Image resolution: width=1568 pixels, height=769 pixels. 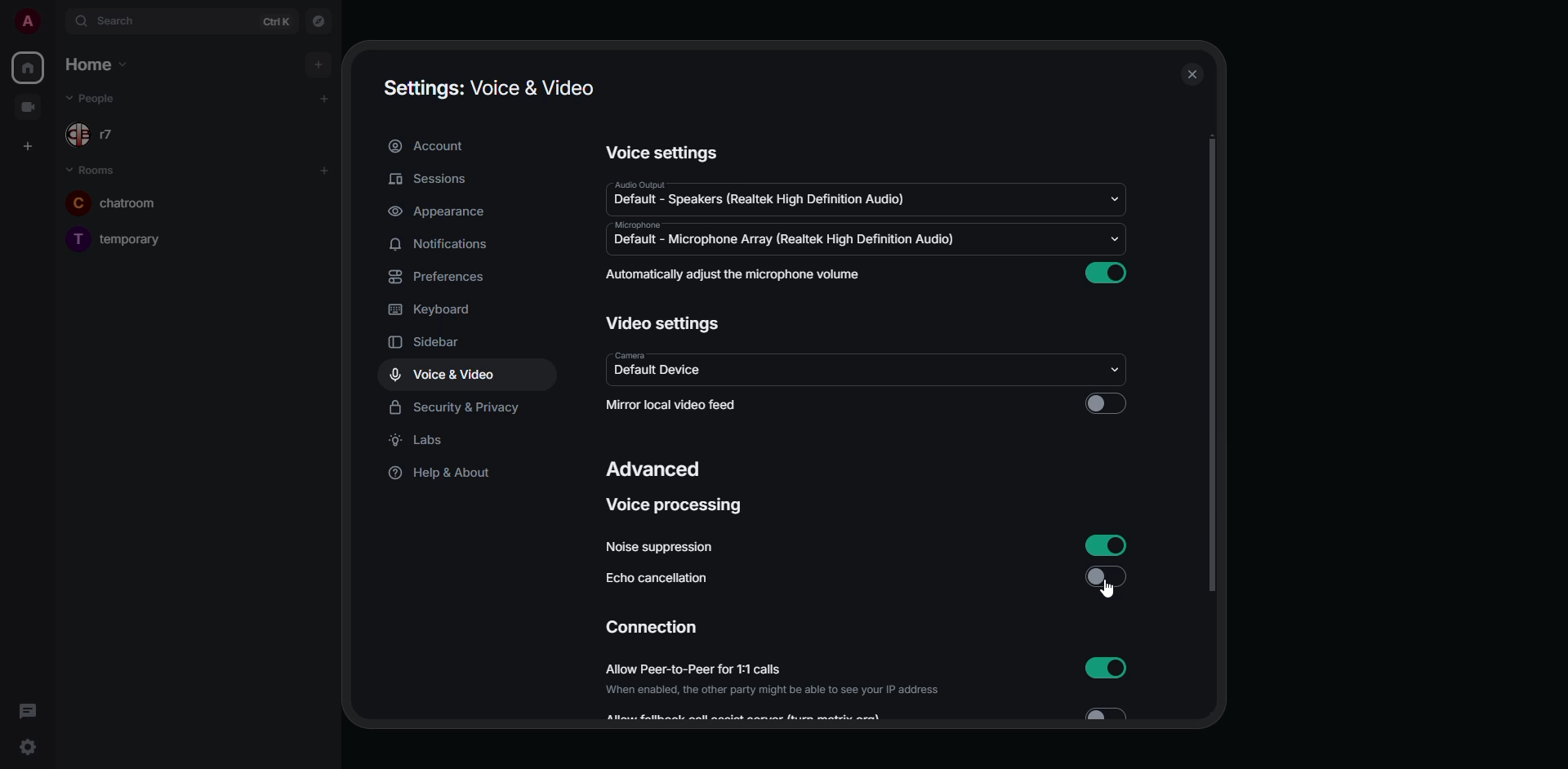 I want to click on drop down, so click(x=1114, y=200).